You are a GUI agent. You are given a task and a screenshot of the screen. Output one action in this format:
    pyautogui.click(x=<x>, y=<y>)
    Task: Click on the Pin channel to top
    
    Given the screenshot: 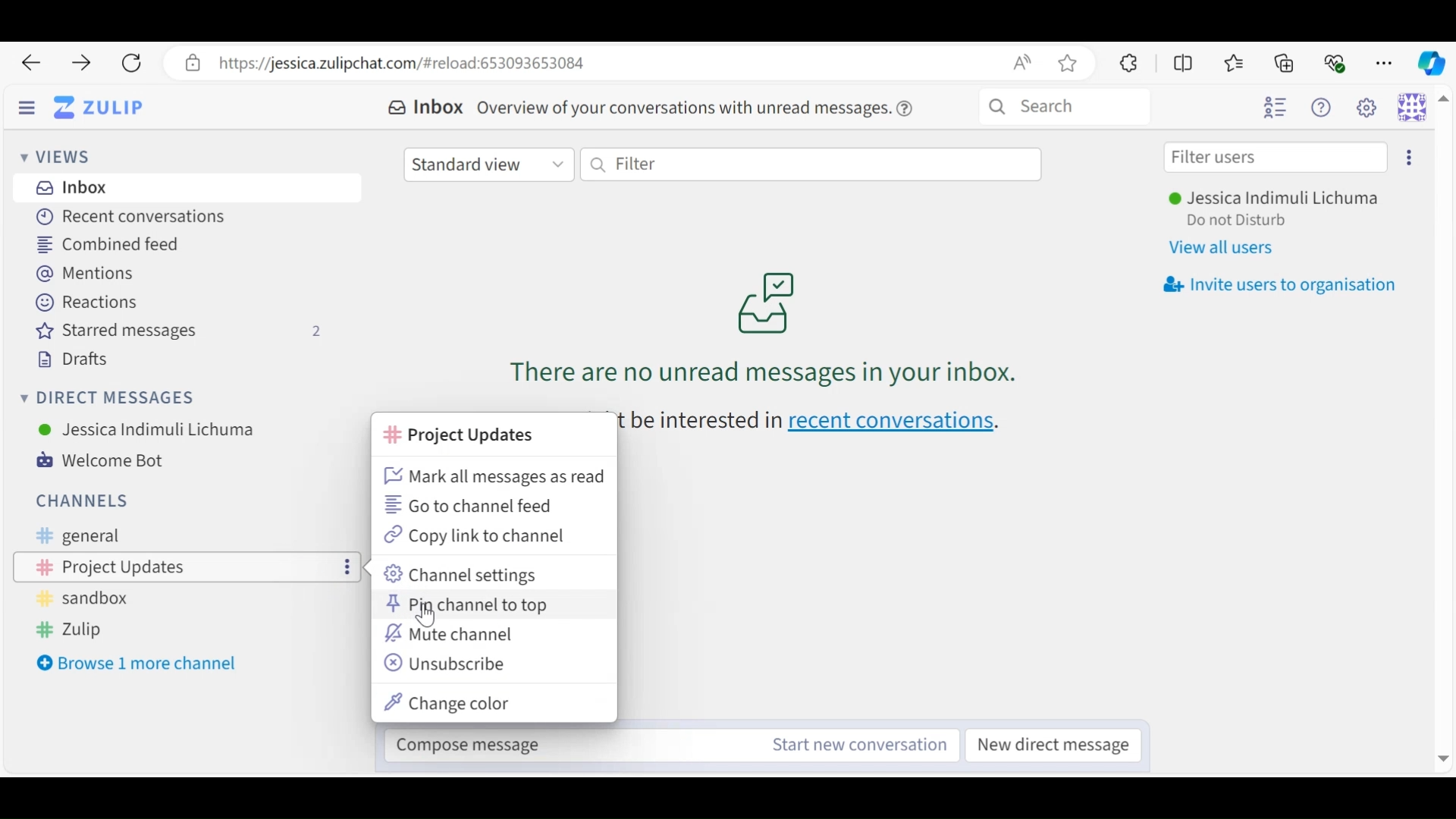 What is the action you would take?
    pyautogui.click(x=470, y=604)
    